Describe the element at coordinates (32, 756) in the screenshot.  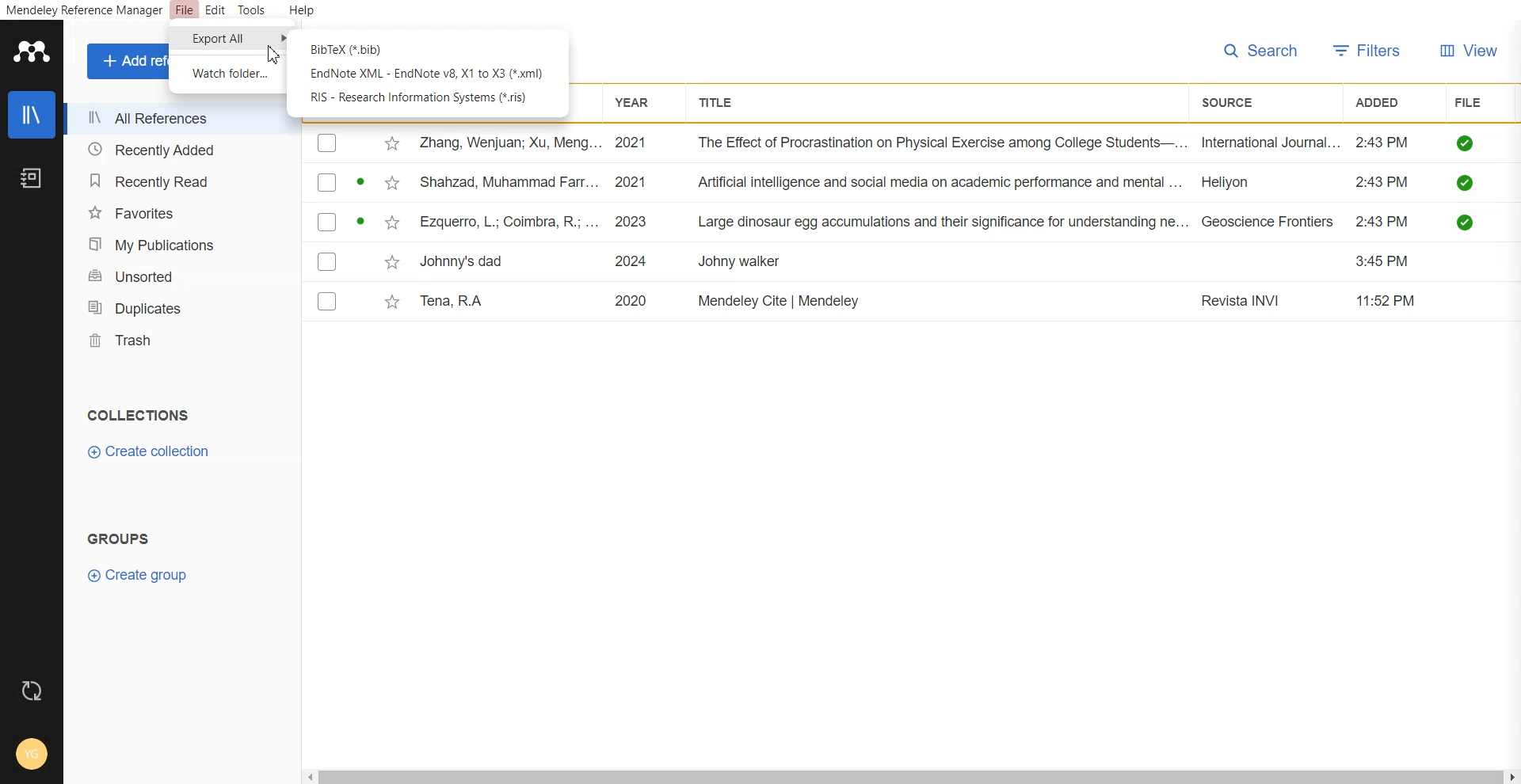
I see `Account` at that location.